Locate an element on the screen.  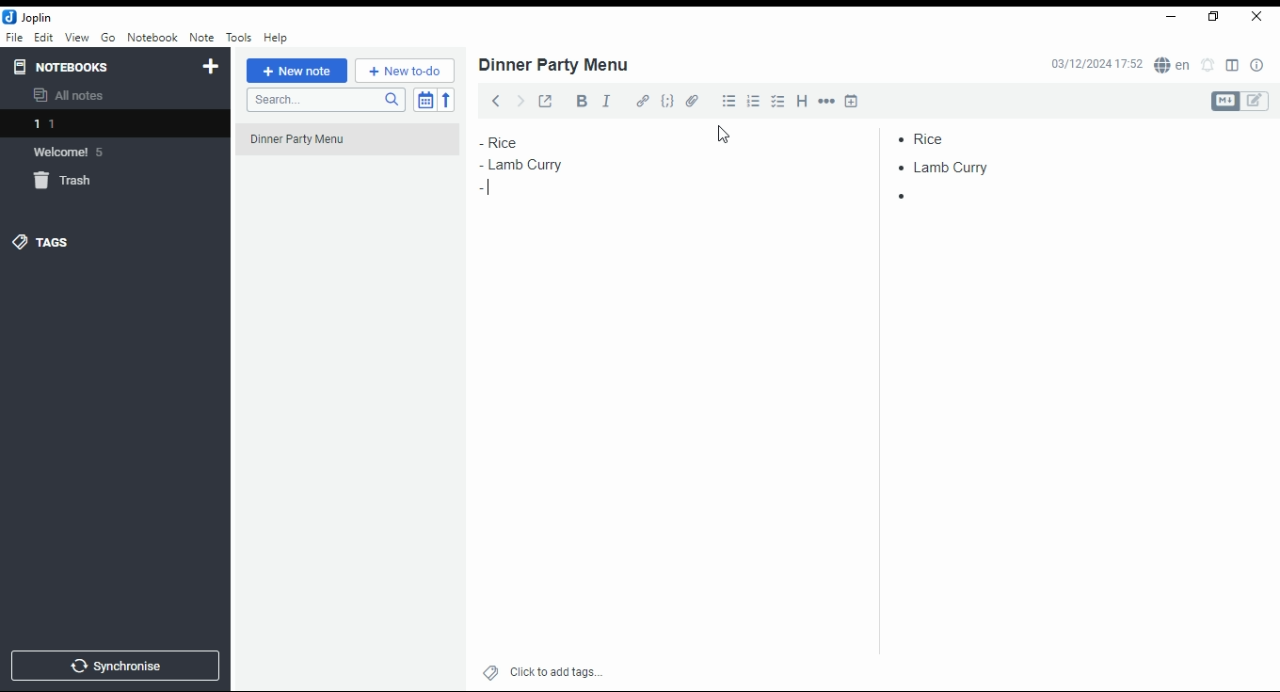
numbered list is located at coordinates (756, 101).